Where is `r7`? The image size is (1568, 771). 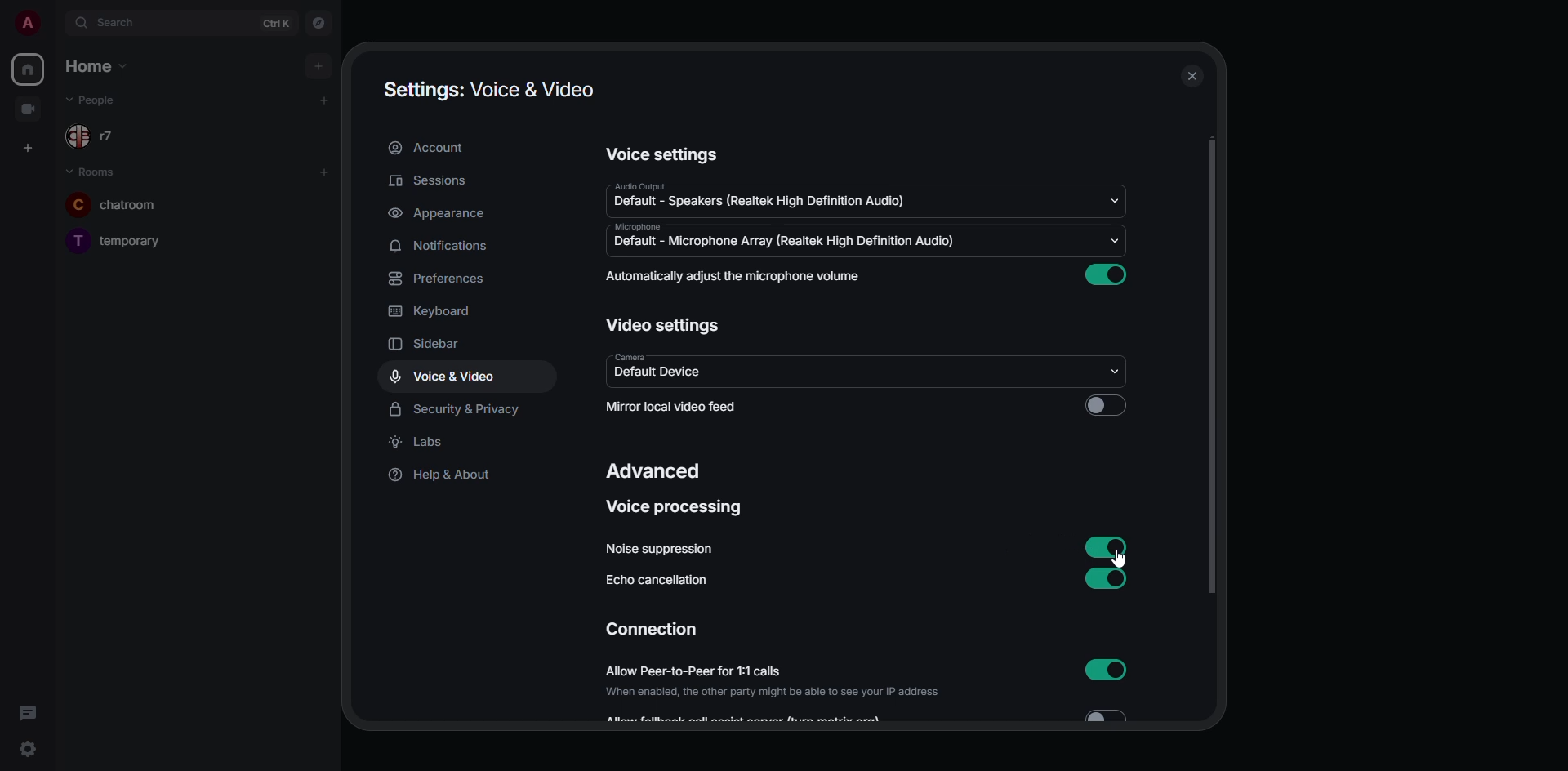
r7 is located at coordinates (93, 136).